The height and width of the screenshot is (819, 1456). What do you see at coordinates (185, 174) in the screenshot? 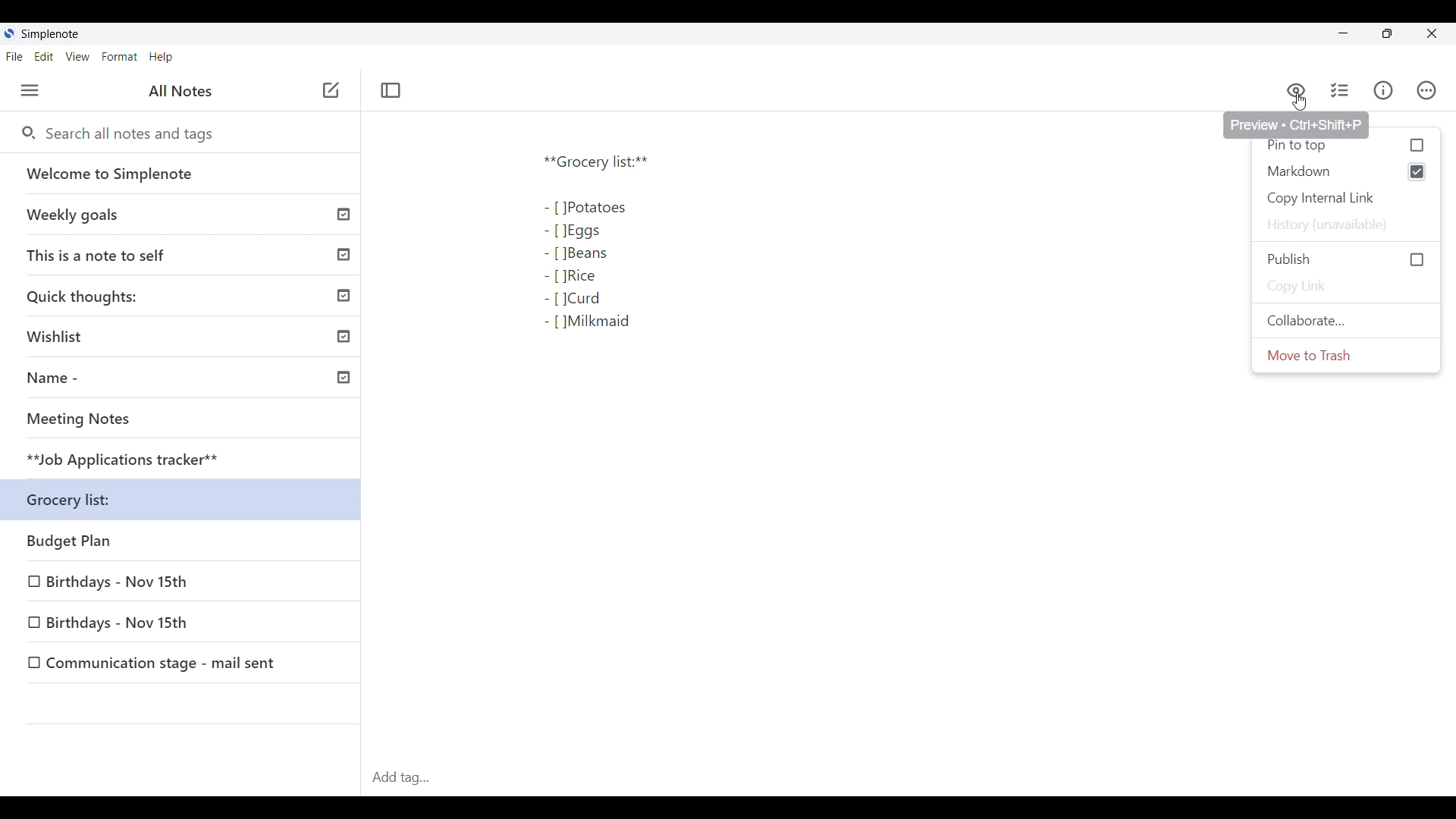
I see `Welcome to Simplenote` at bounding box center [185, 174].